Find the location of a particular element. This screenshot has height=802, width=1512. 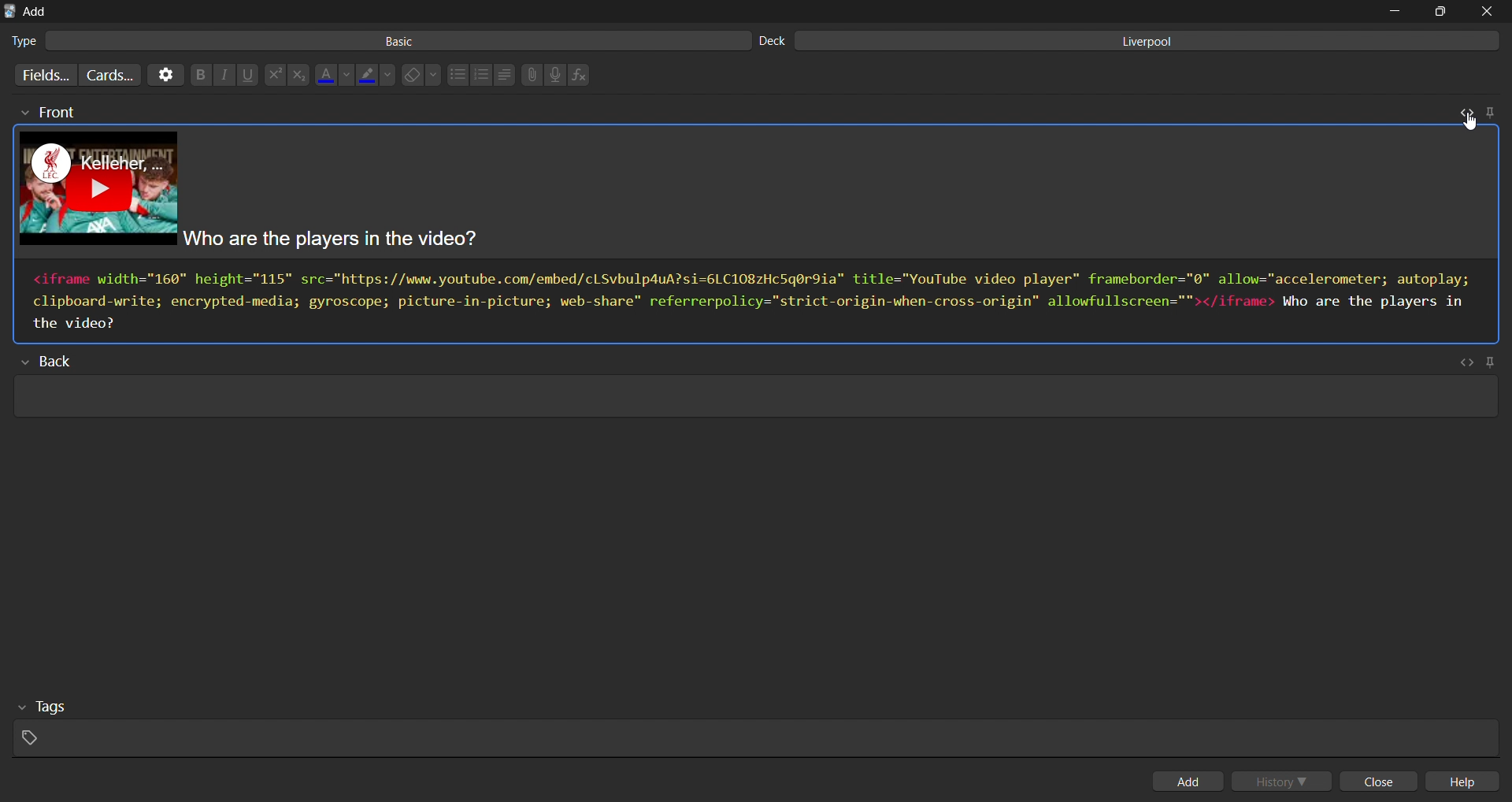

ordered list is located at coordinates (481, 75).